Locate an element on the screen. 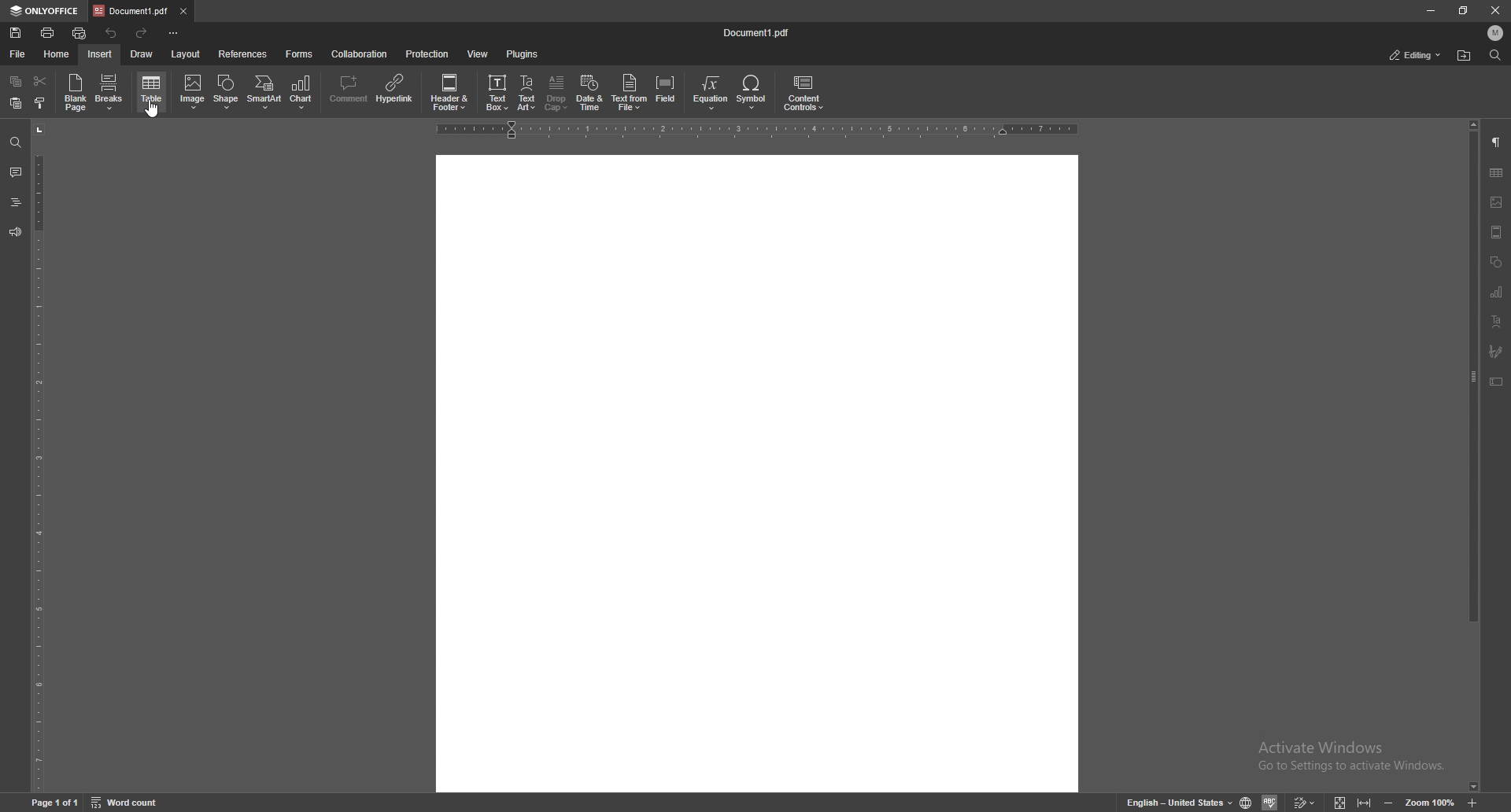 The width and height of the screenshot is (1511, 812). chart is located at coordinates (304, 93).